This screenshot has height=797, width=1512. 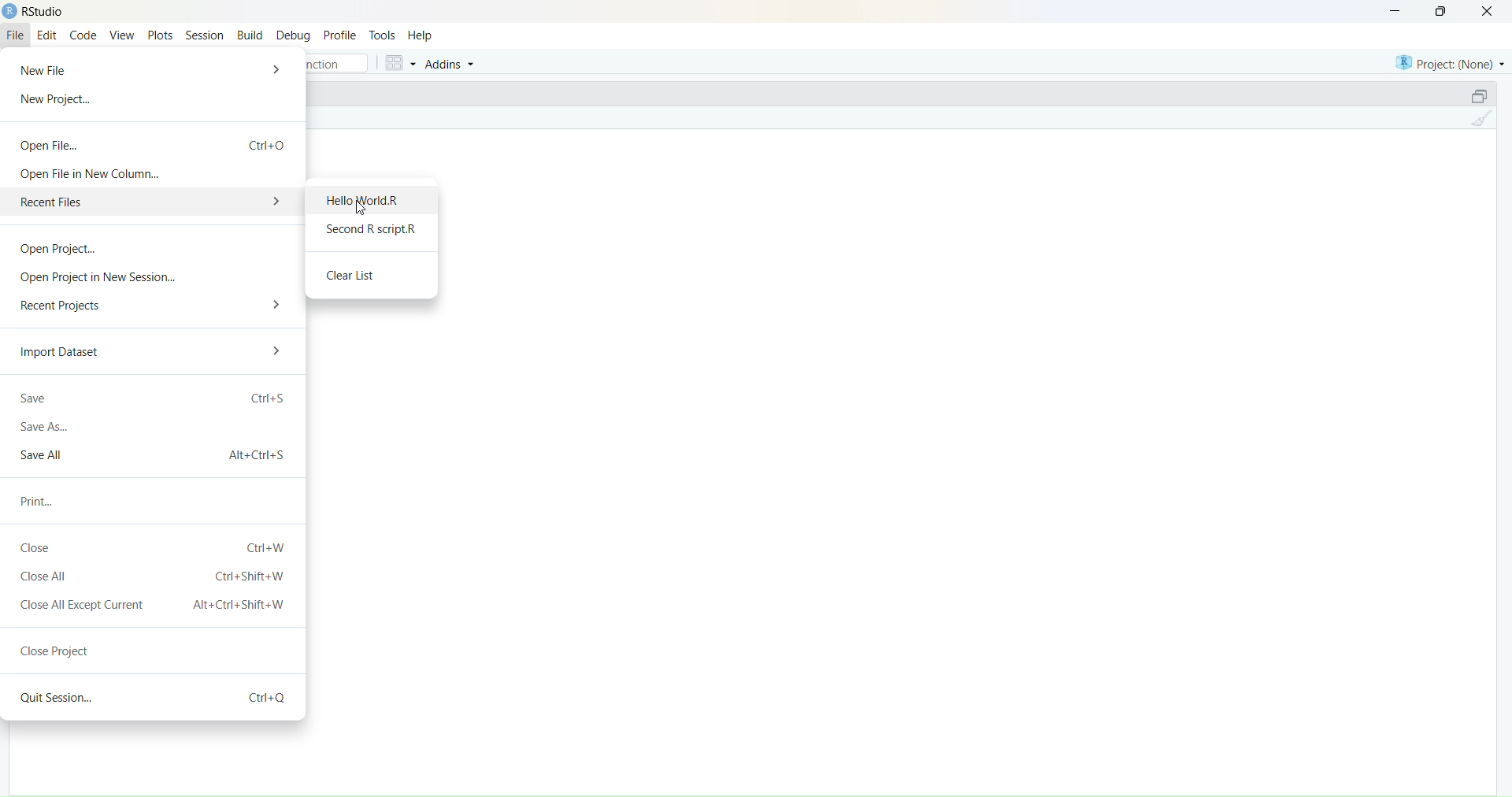 What do you see at coordinates (52, 69) in the screenshot?
I see `New File` at bounding box center [52, 69].